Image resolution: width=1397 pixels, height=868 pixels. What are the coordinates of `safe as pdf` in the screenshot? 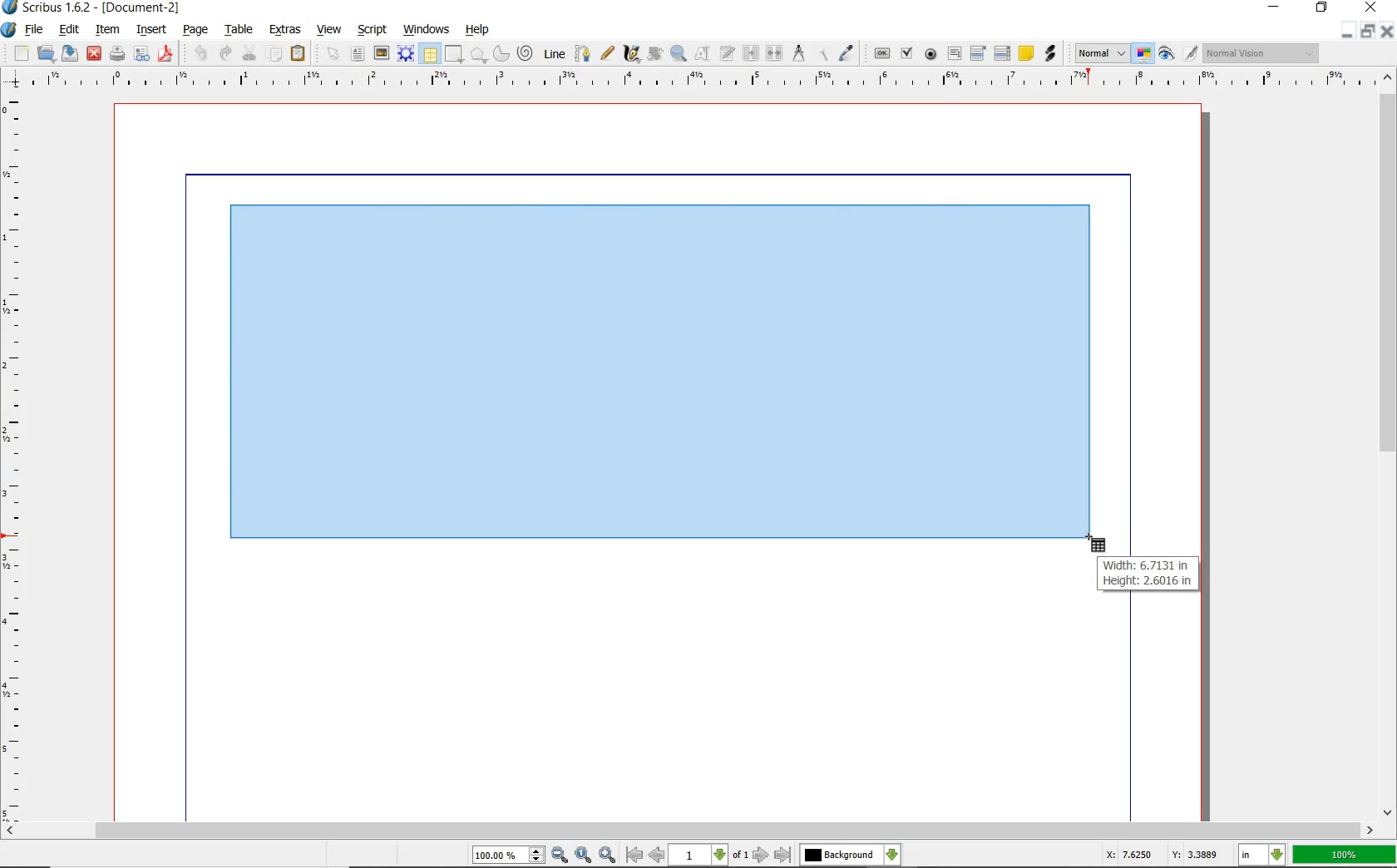 It's located at (165, 54).